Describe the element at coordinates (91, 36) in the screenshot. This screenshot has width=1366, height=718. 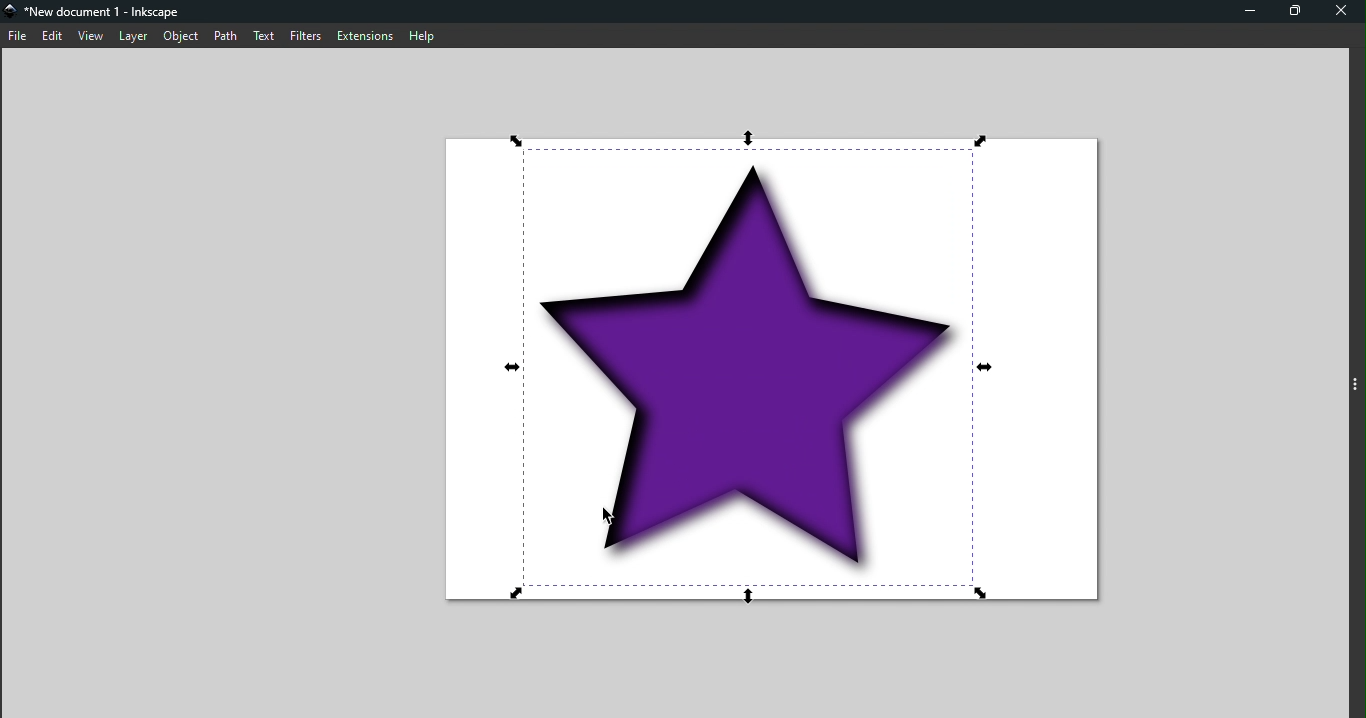
I see `view` at that location.